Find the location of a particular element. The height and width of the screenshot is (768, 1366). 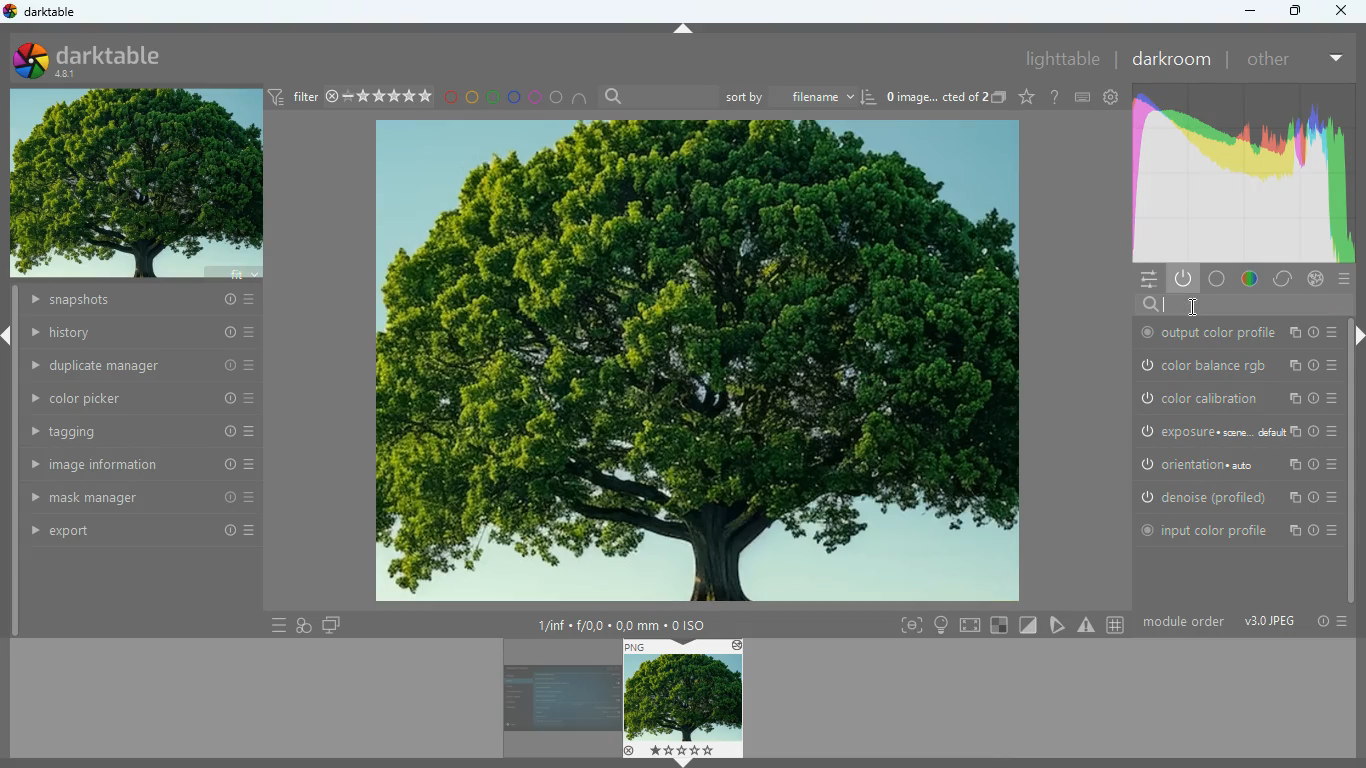

search is located at coordinates (656, 96).